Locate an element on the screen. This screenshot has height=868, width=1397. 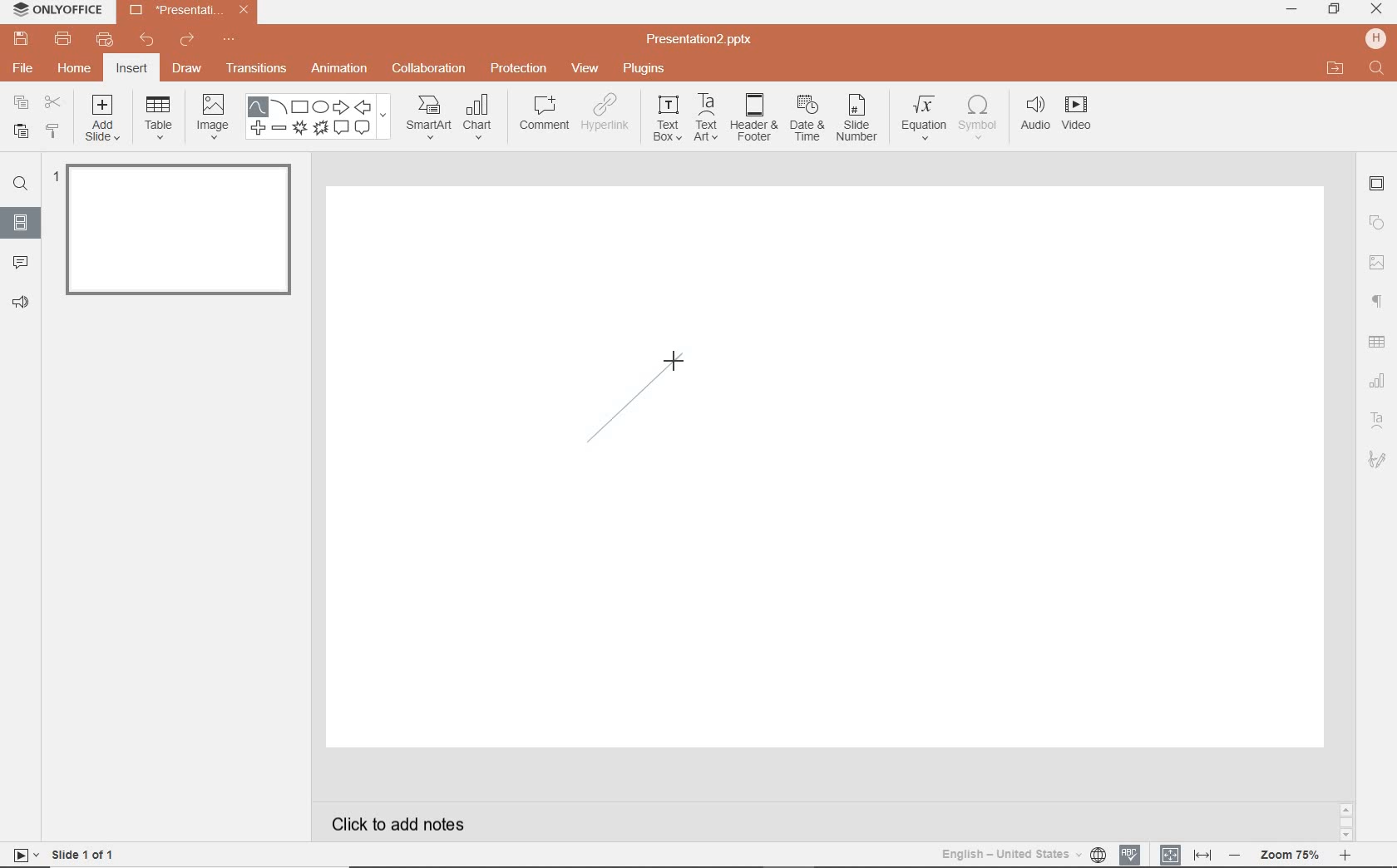
SCROLLBAR is located at coordinates (1345, 820).